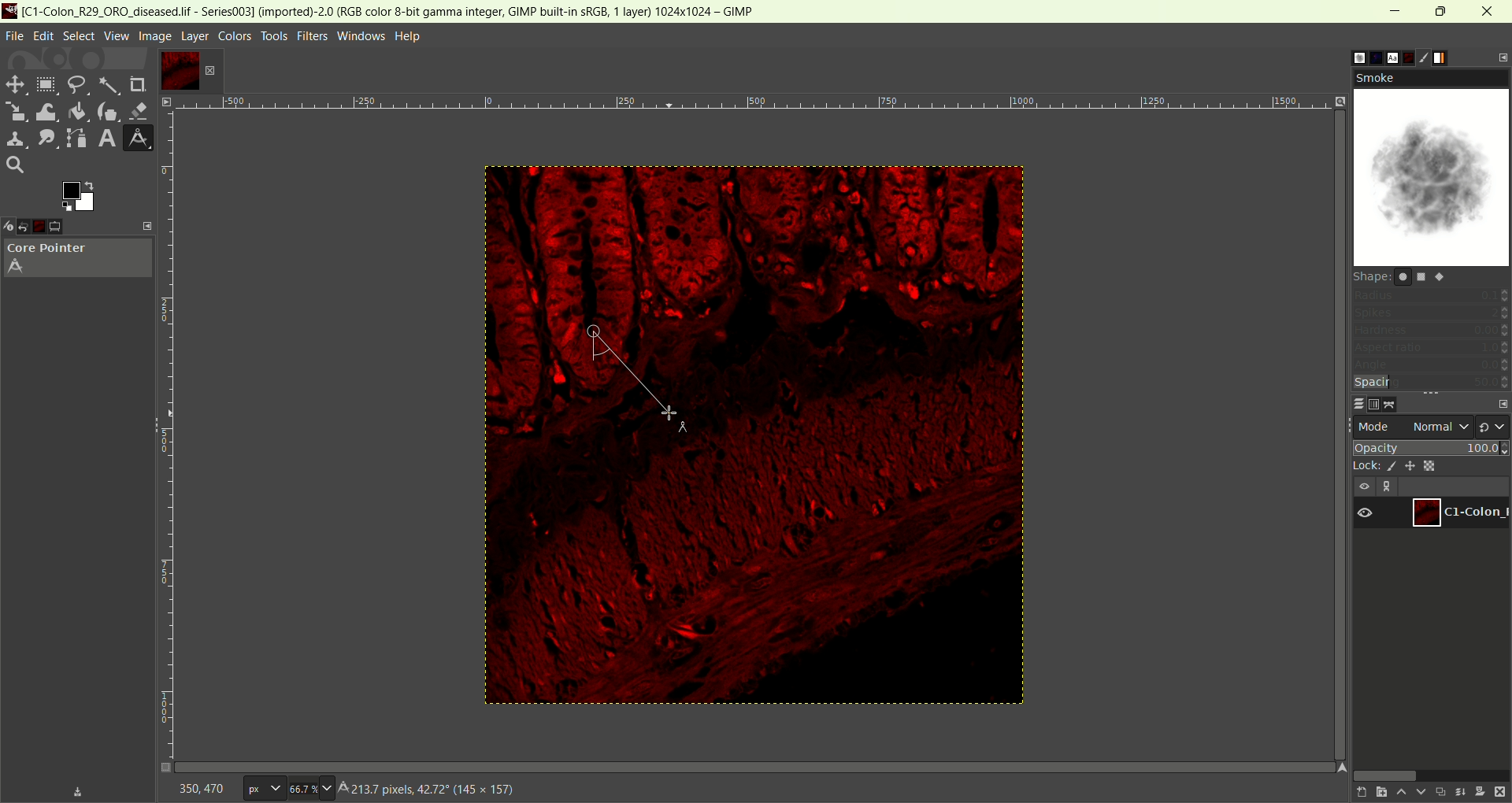 The height and width of the screenshot is (803, 1512). What do you see at coordinates (1432, 446) in the screenshot?
I see `opacity` at bounding box center [1432, 446].